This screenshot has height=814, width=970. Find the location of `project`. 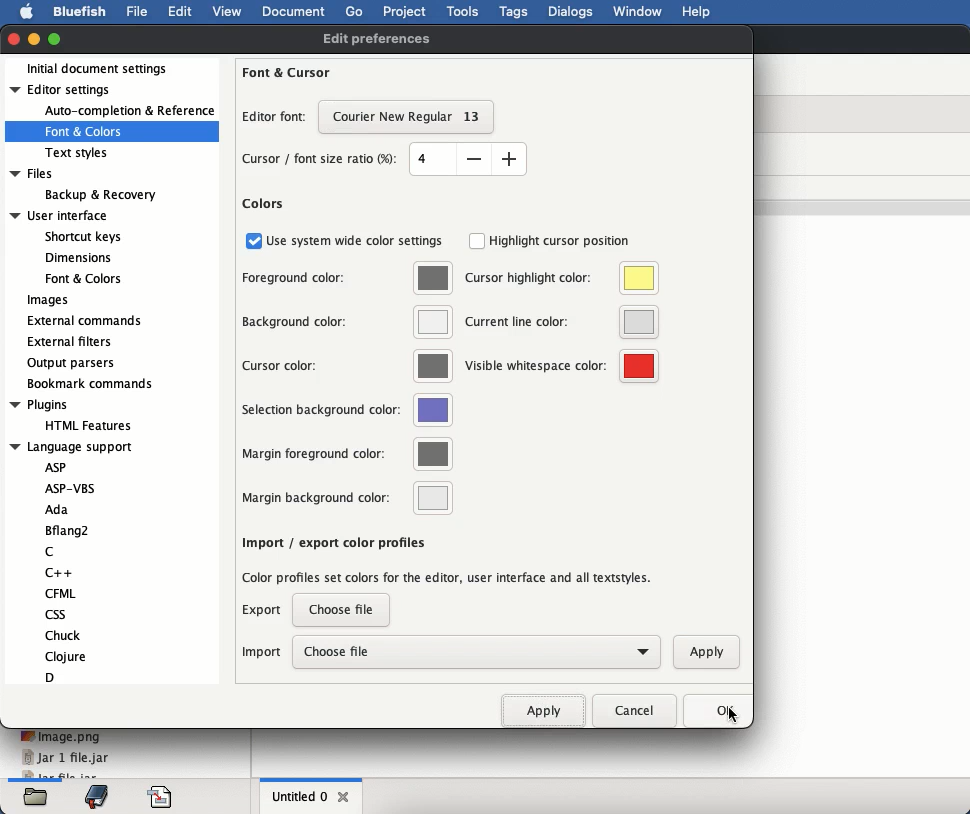

project is located at coordinates (407, 12).